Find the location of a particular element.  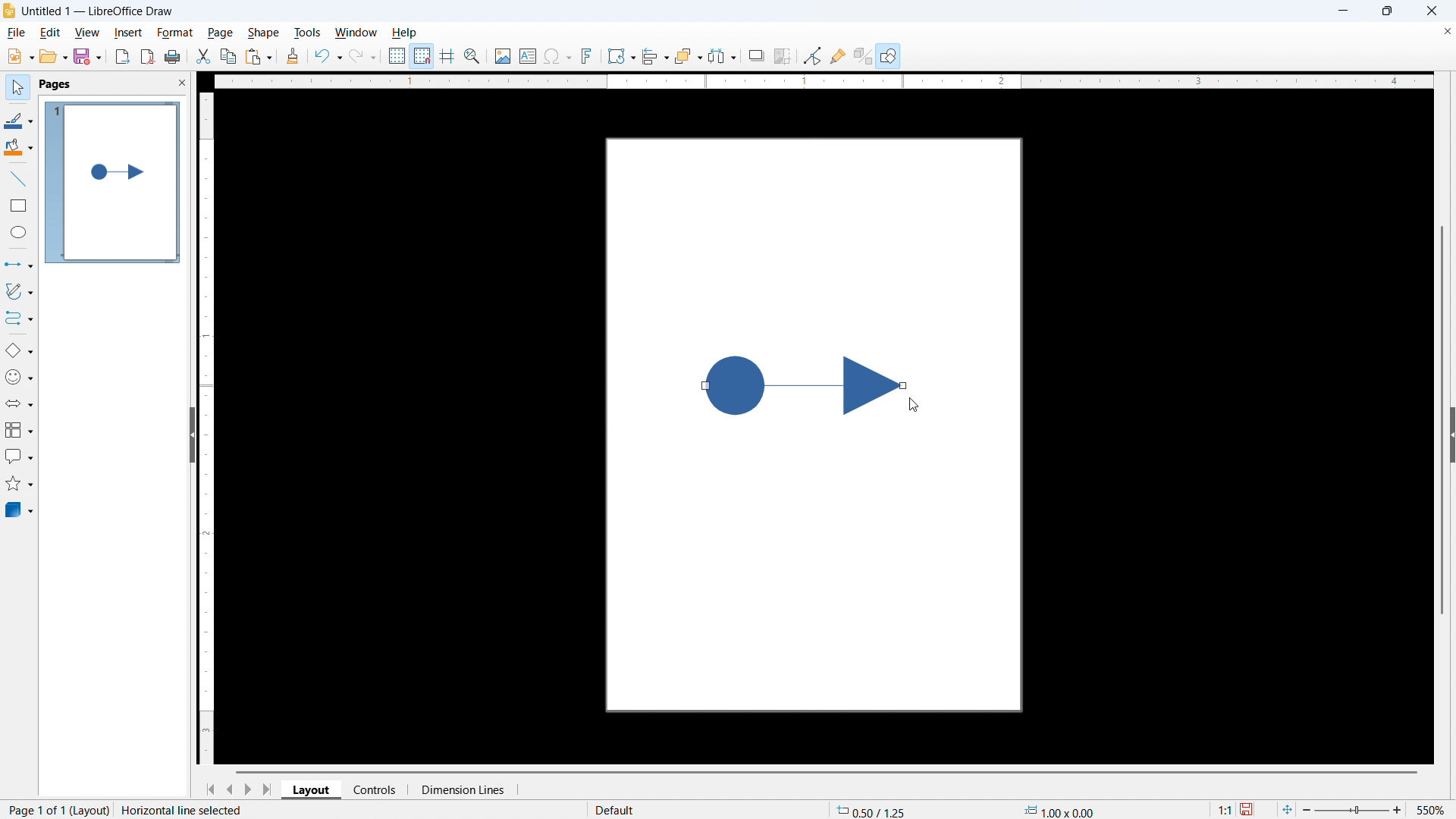

Shadow  is located at coordinates (756, 55).